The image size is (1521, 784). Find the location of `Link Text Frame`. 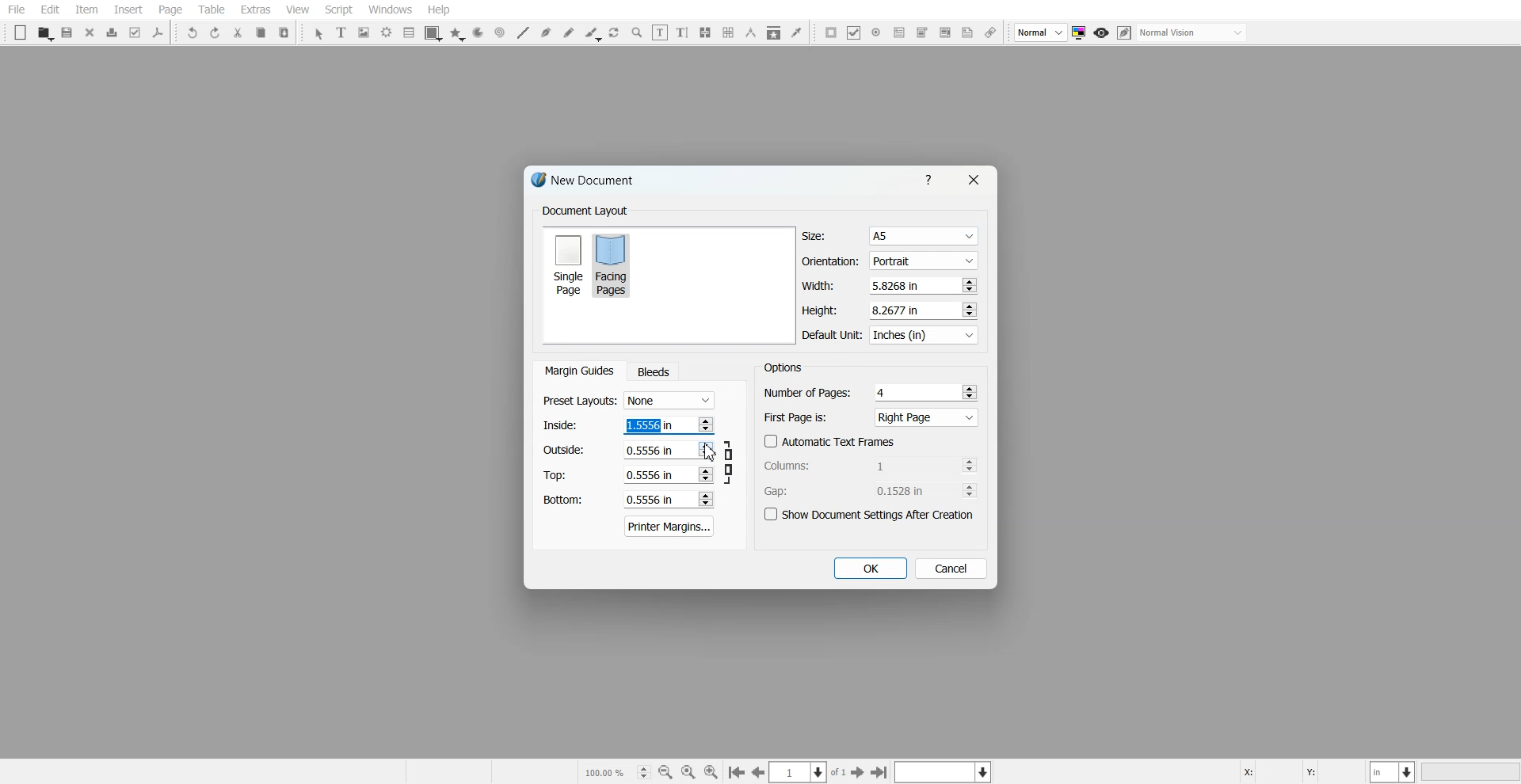

Link Text Frame is located at coordinates (705, 32).